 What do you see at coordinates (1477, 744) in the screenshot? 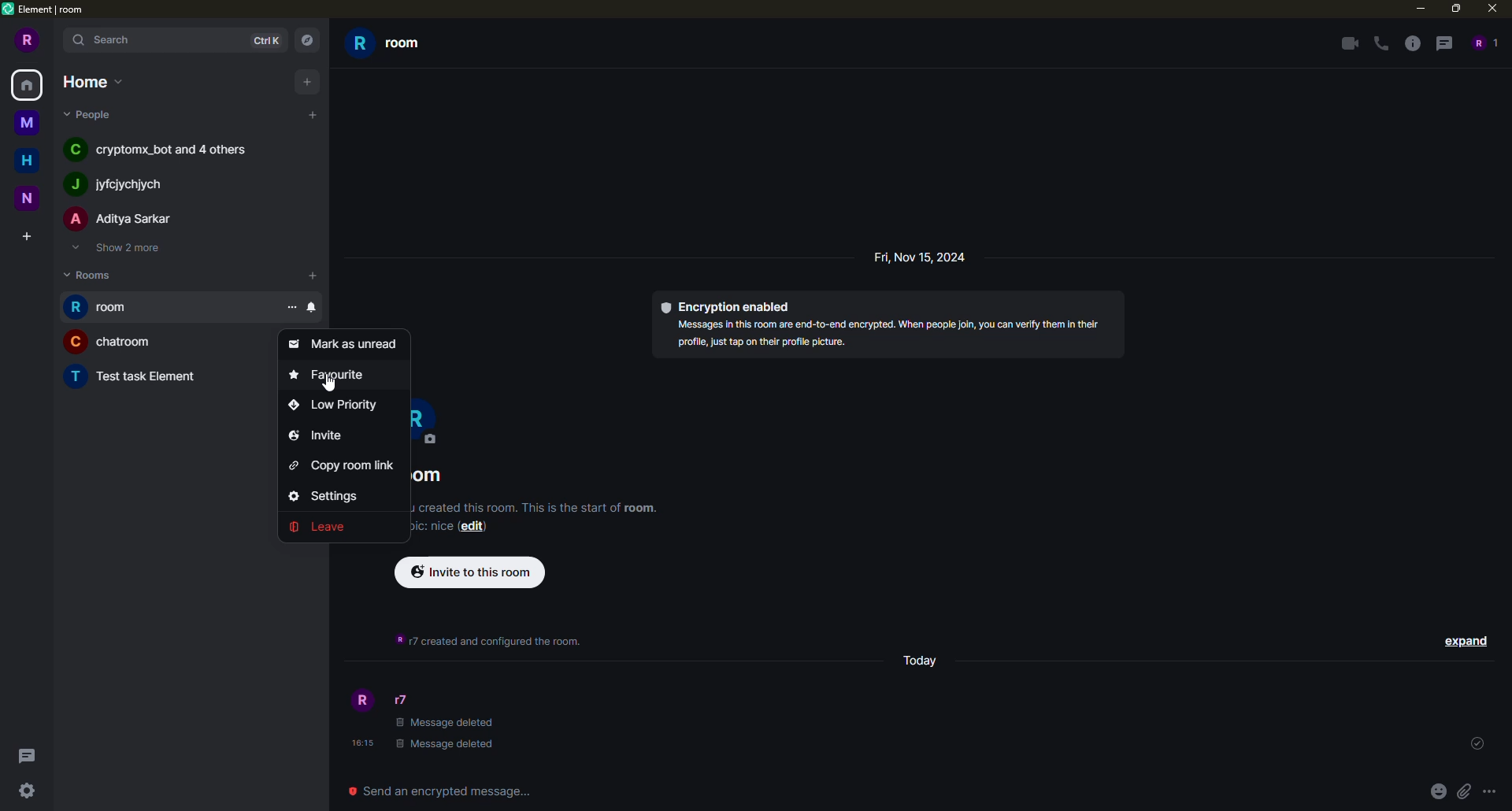
I see `sent` at bounding box center [1477, 744].